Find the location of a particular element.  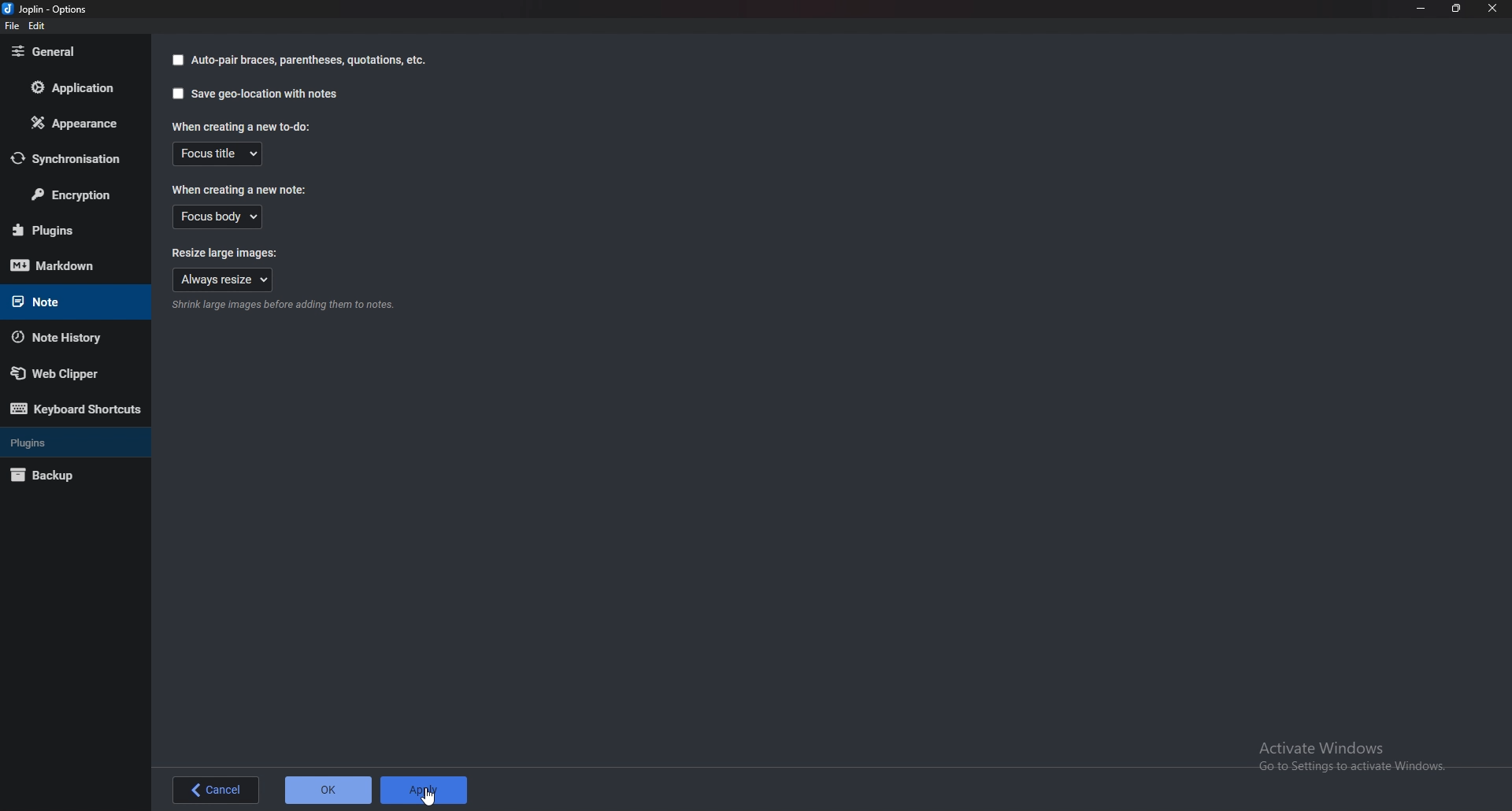

minimize is located at coordinates (1422, 8).